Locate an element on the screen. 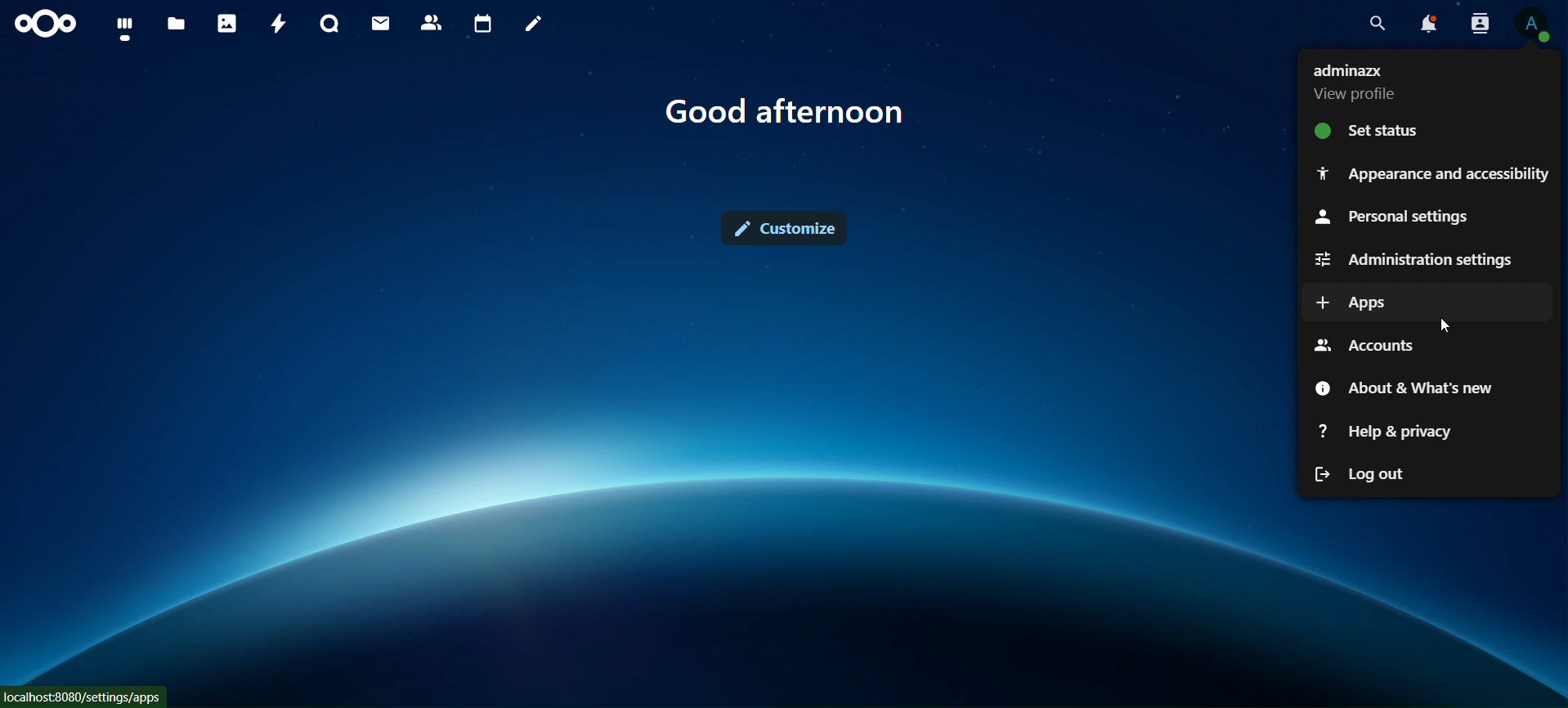 Image resolution: width=1568 pixels, height=708 pixels. photos is located at coordinates (226, 22).